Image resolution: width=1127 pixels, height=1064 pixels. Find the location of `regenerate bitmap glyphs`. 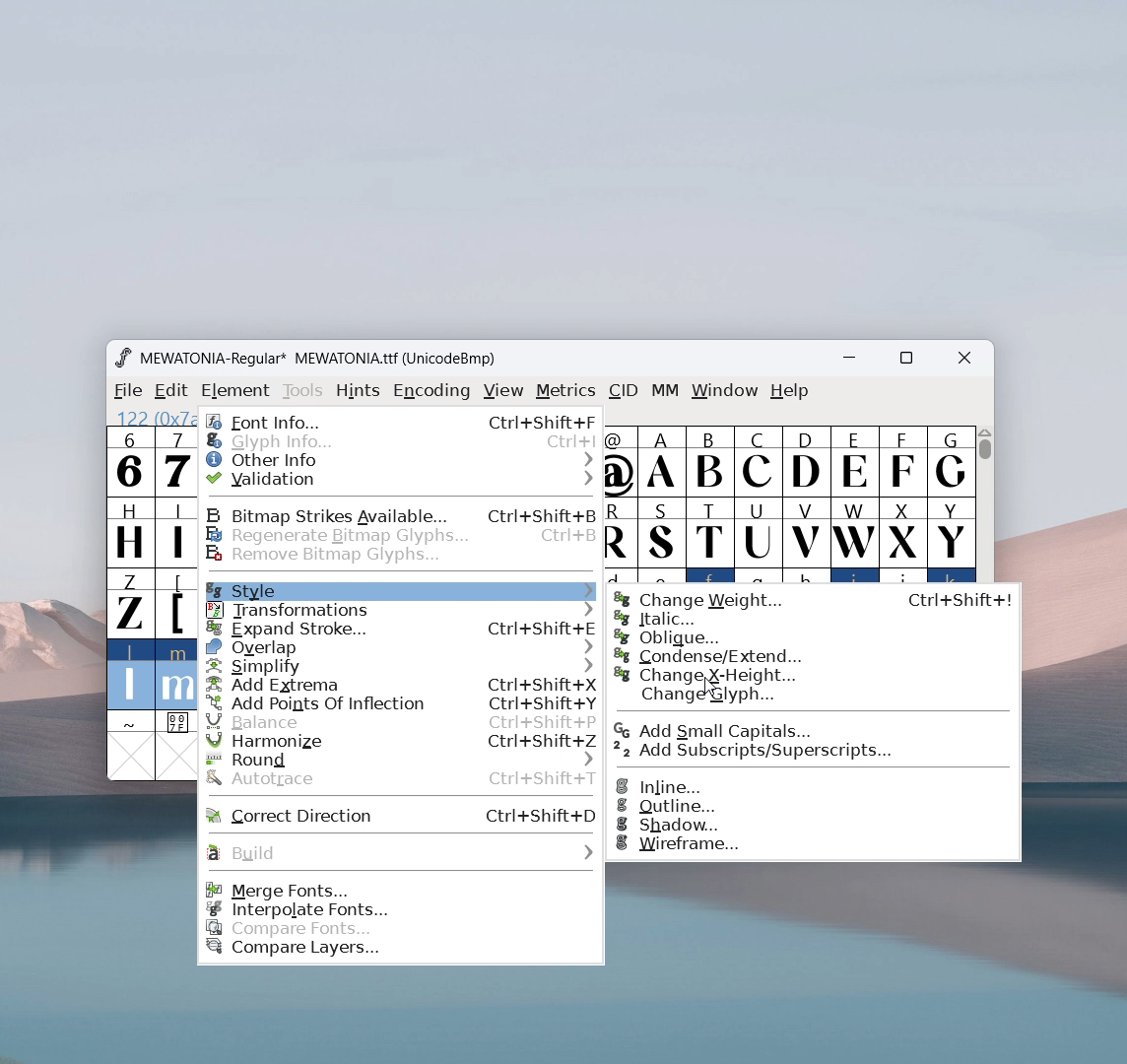

regenerate bitmap glyphs is located at coordinates (401, 534).